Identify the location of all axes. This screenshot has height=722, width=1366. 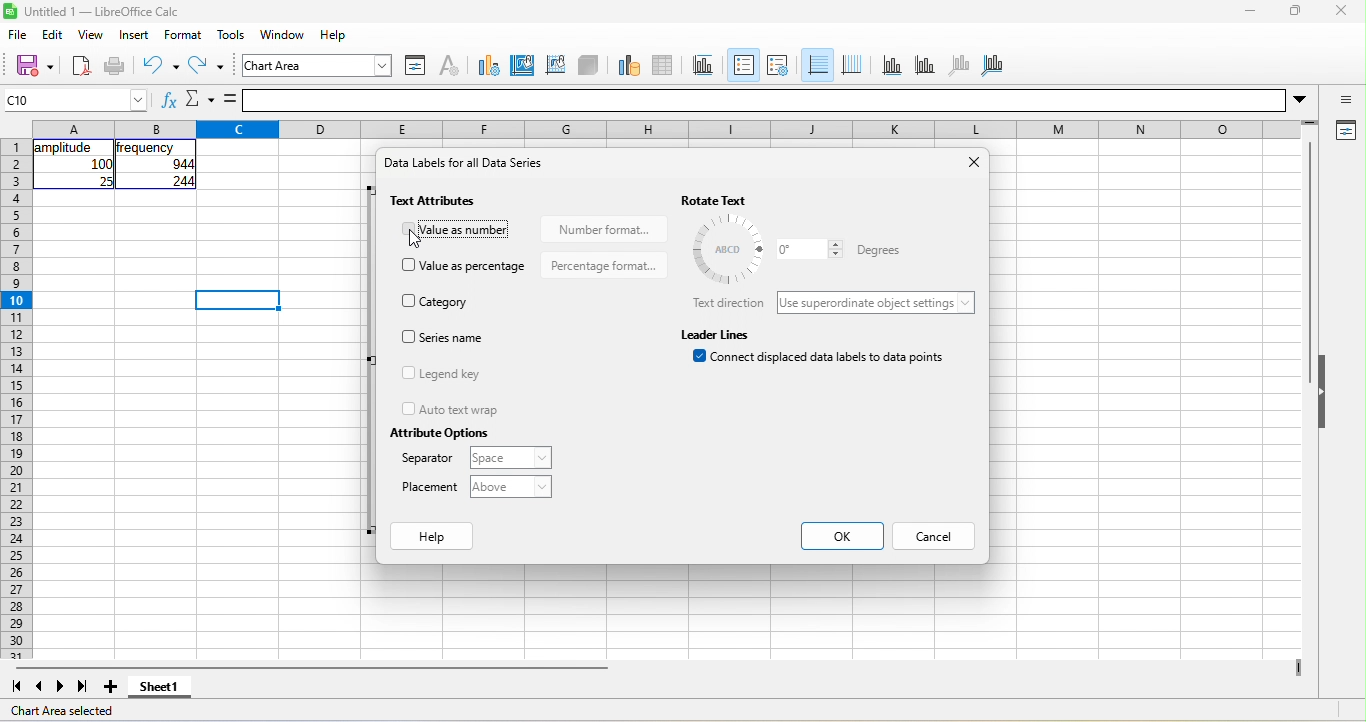
(993, 63).